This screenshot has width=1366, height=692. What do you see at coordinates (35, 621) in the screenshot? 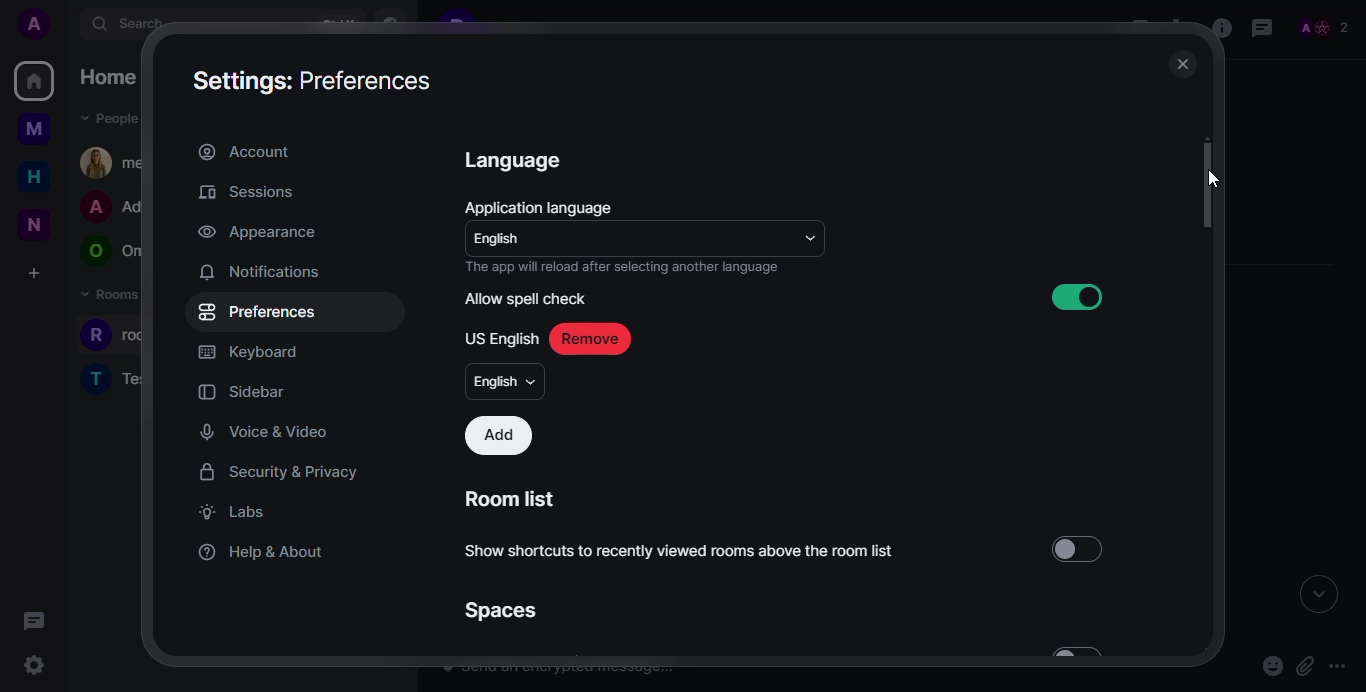
I see `threads` at bounding box center [35, 621].